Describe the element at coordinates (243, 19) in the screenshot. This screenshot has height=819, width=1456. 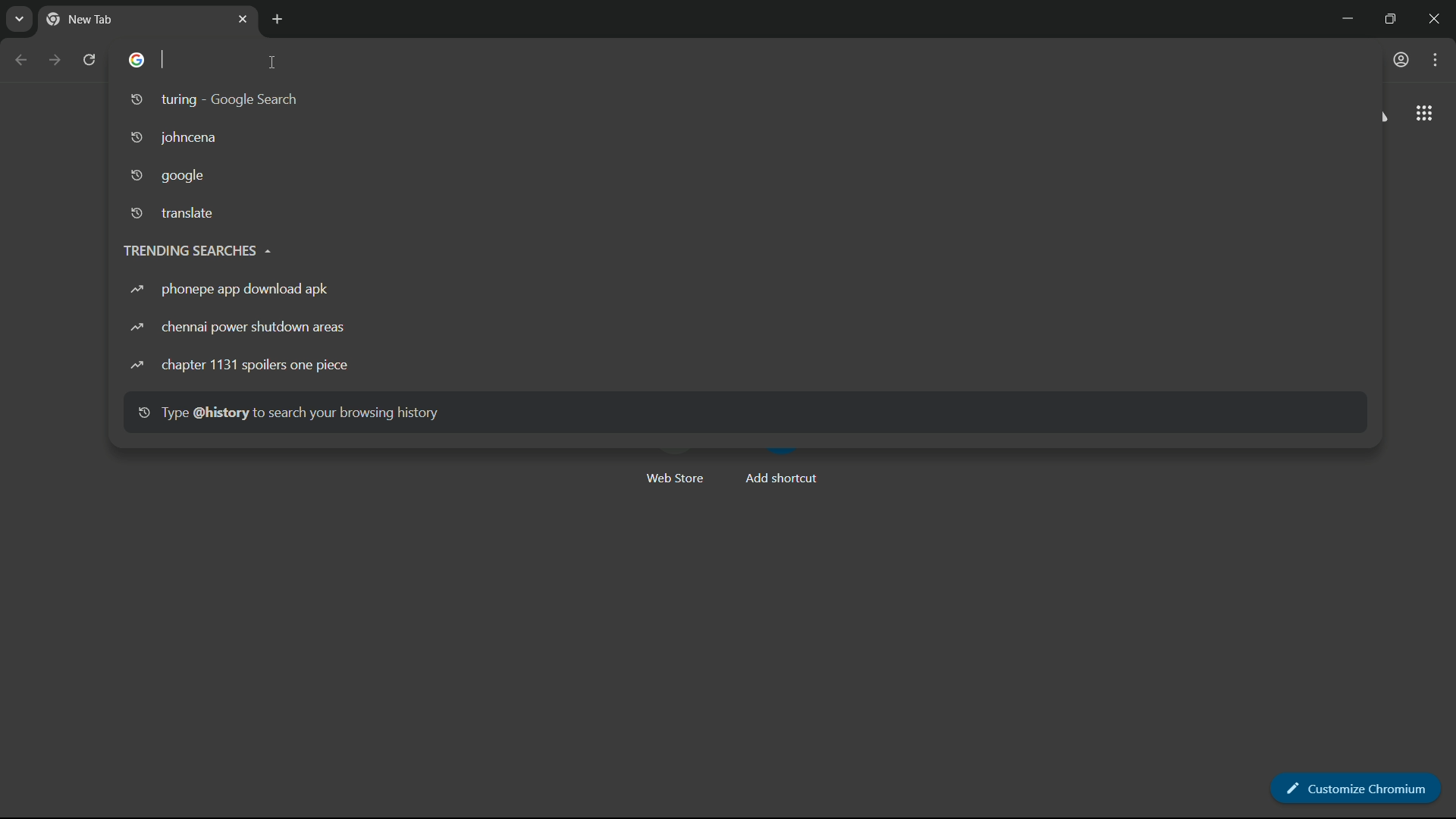
I see `close` at that location.